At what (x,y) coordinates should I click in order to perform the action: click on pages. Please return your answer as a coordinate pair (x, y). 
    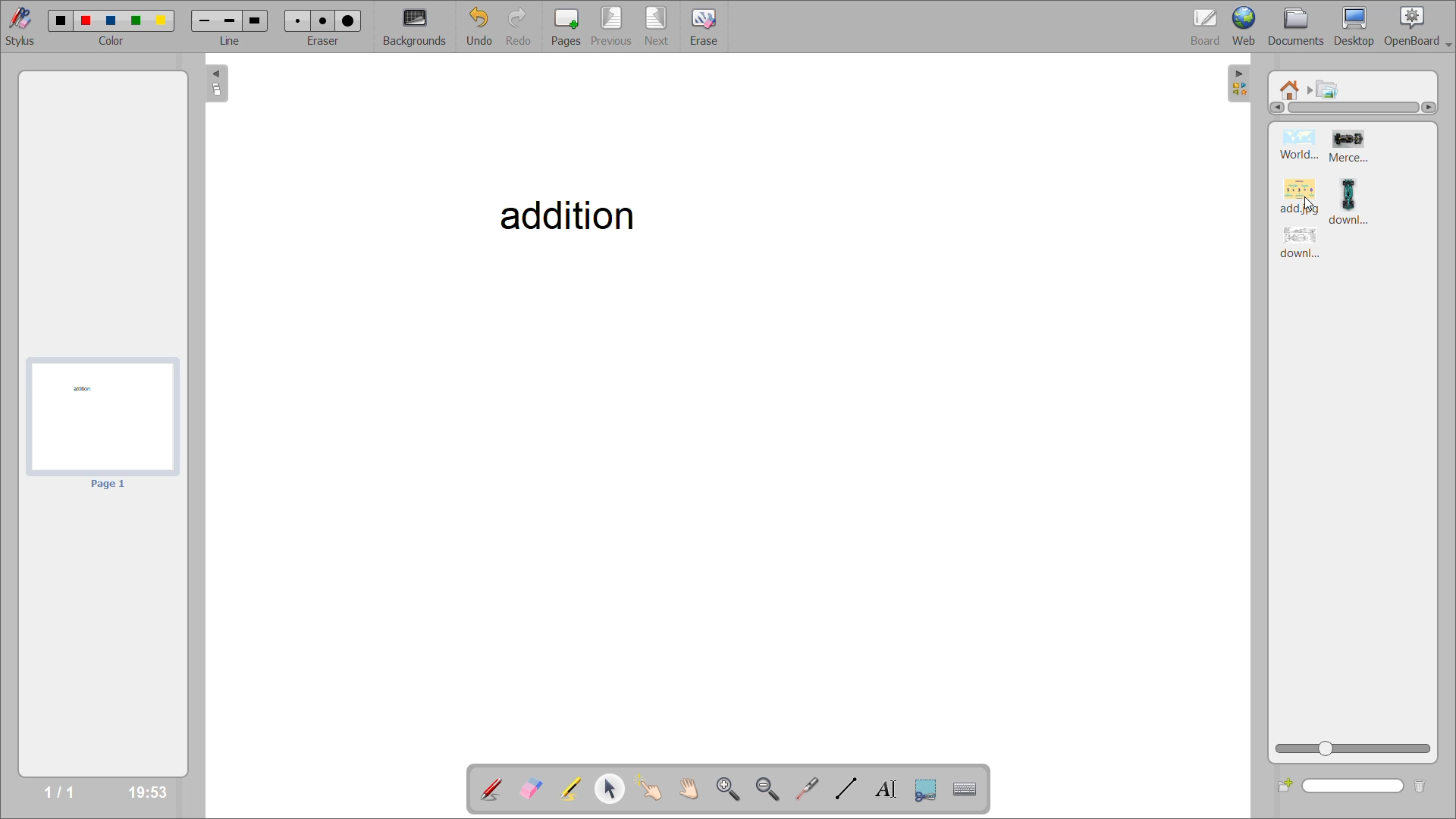
    Looking at the image, I should click on (565, 27).